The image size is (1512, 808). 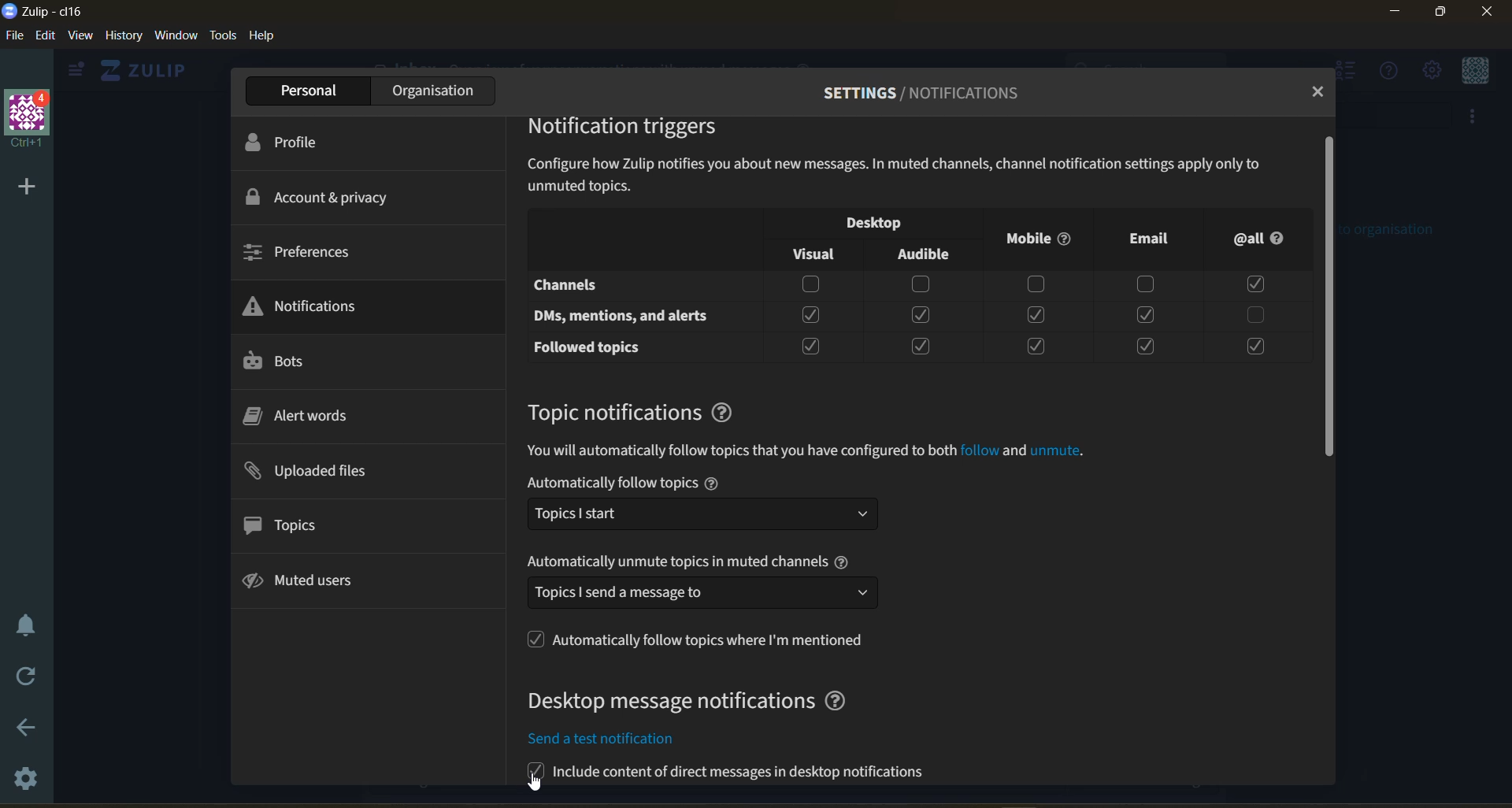 What do you see at coordinates (58, 11) in the screenshot?
I see `app name and organisation name` at bounding box center [58, 11].